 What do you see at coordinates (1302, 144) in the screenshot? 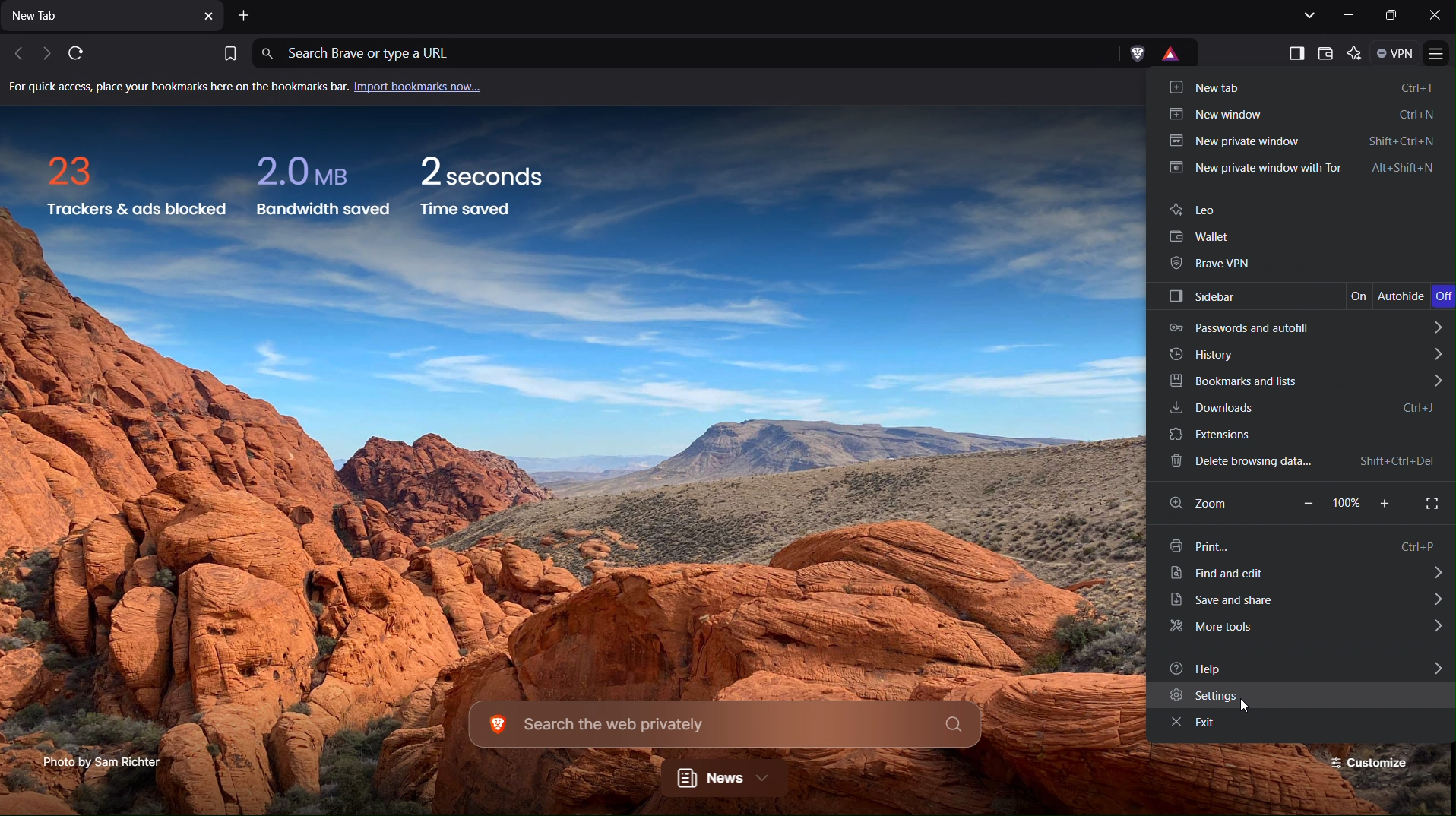
I see `New private window` at bounding box center [1302, 144].